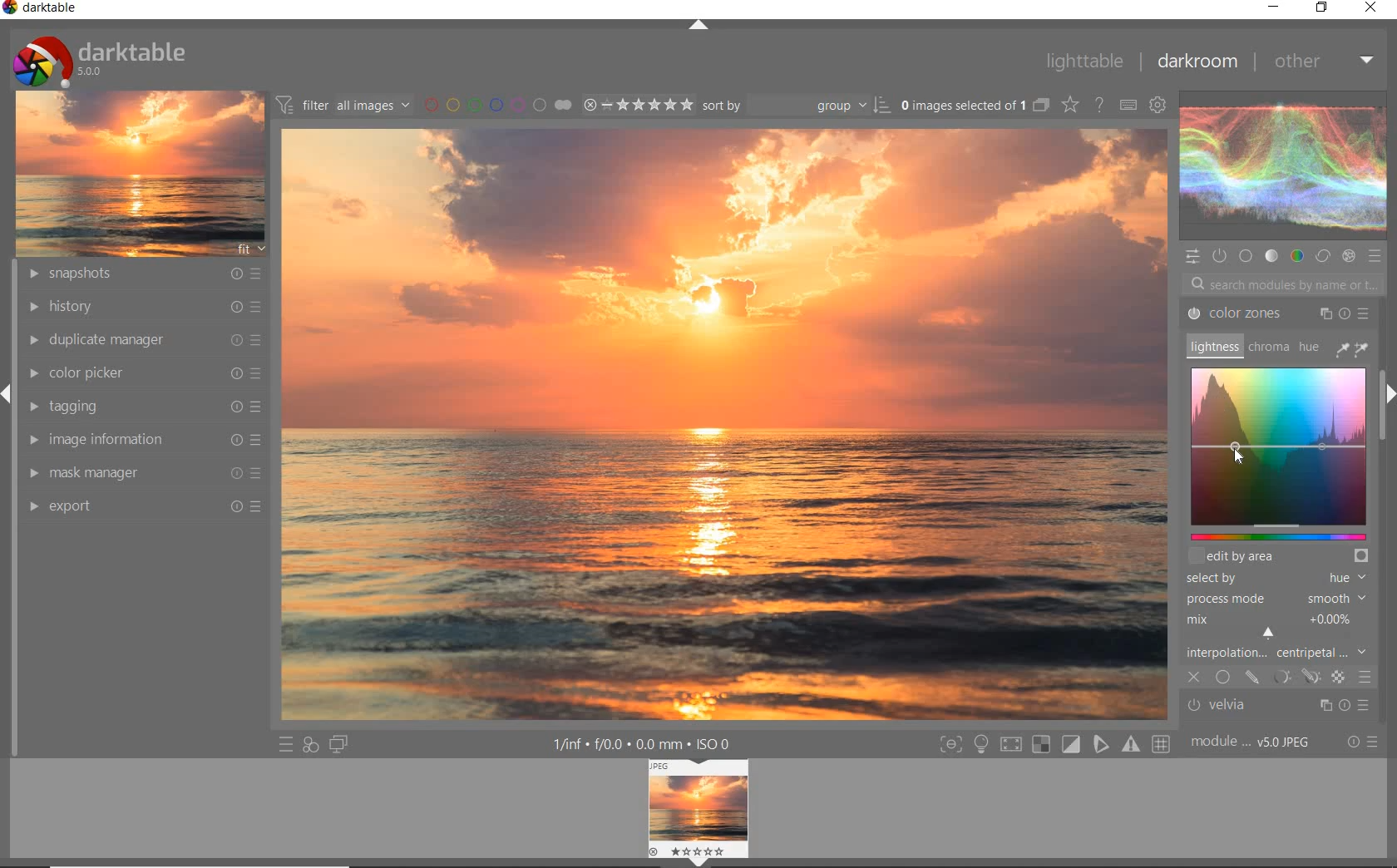  Describe the element at coordinates (1348, 257) in the screenshot. I see `EFFECT` at that location.